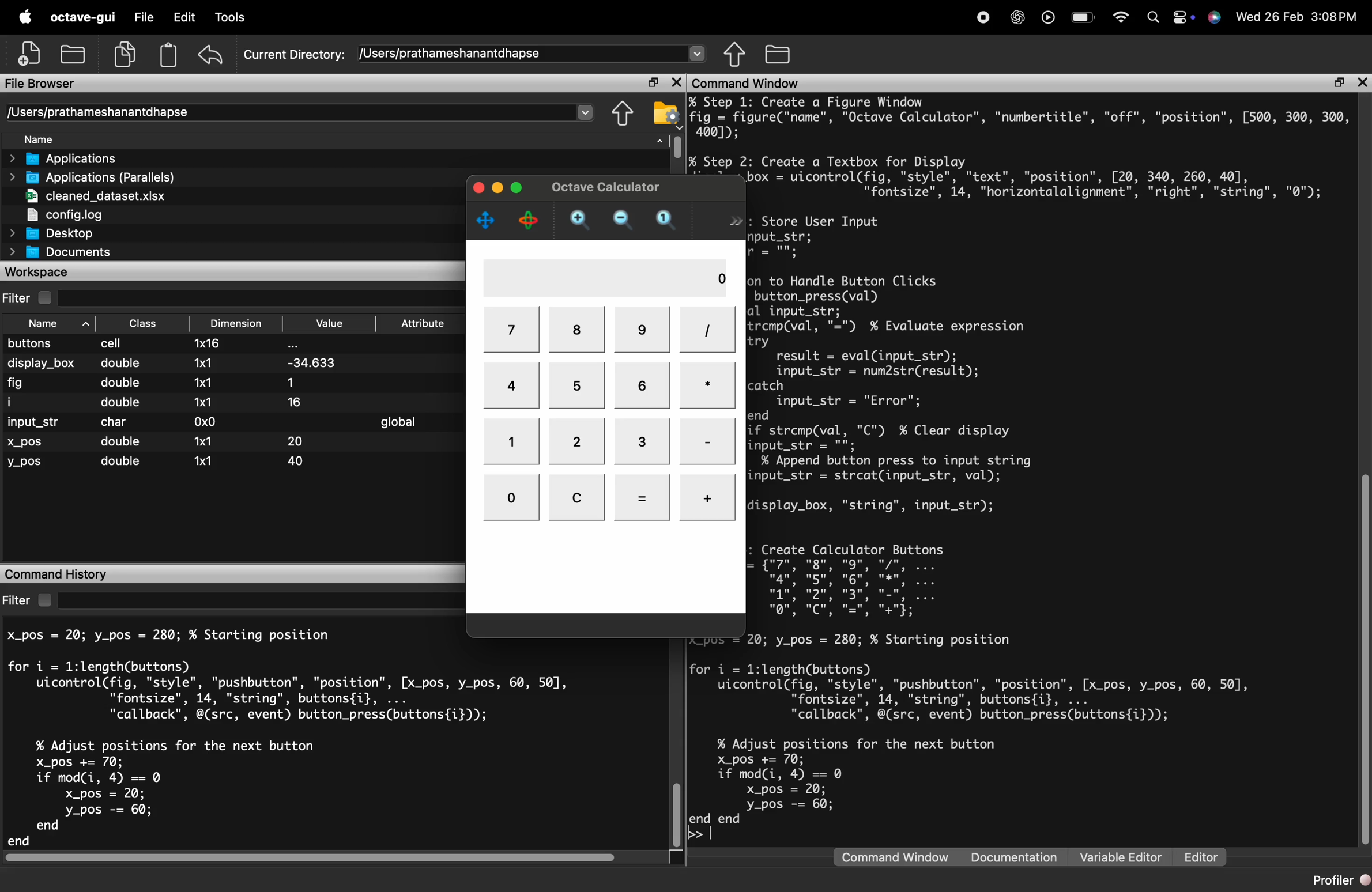 This screenshot has height=892, width=1372. What do you see at coordinates (1284, 16) in the screenshot?
I see `26 Feb` at bounding box center [1284, 16].